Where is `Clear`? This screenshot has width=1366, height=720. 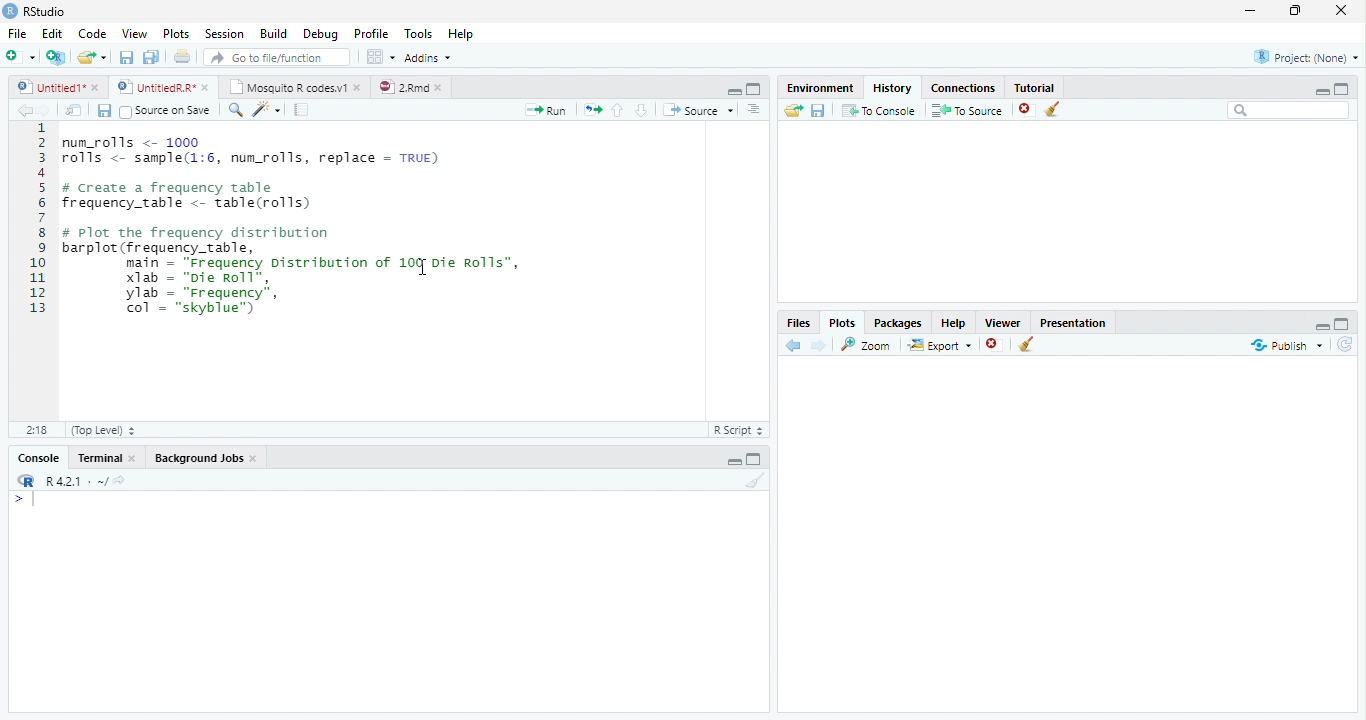 Clear is located at coordinates (1053, 109).